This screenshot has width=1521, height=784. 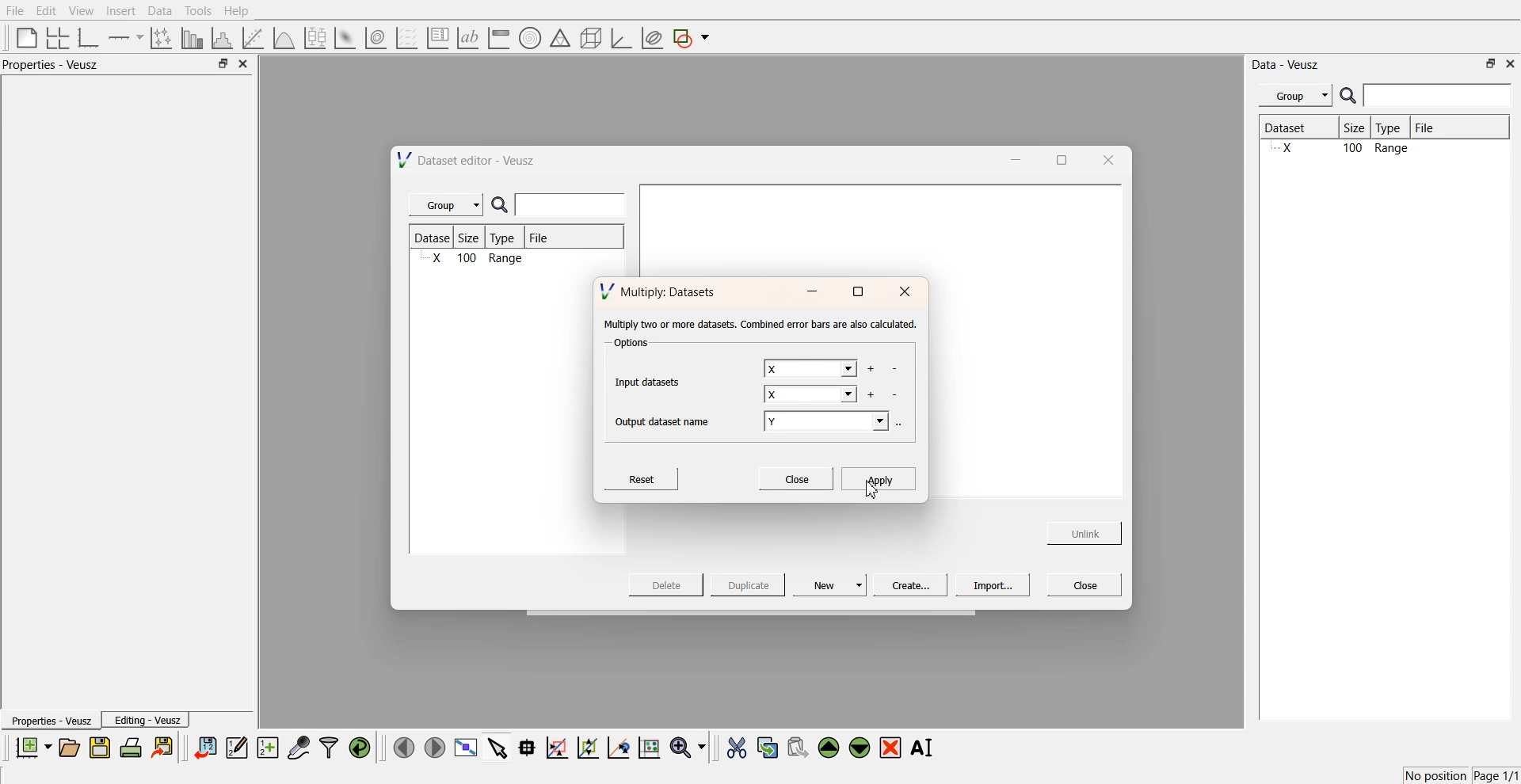 I want to click on edit and enter data points, so click(x=237, y=749).